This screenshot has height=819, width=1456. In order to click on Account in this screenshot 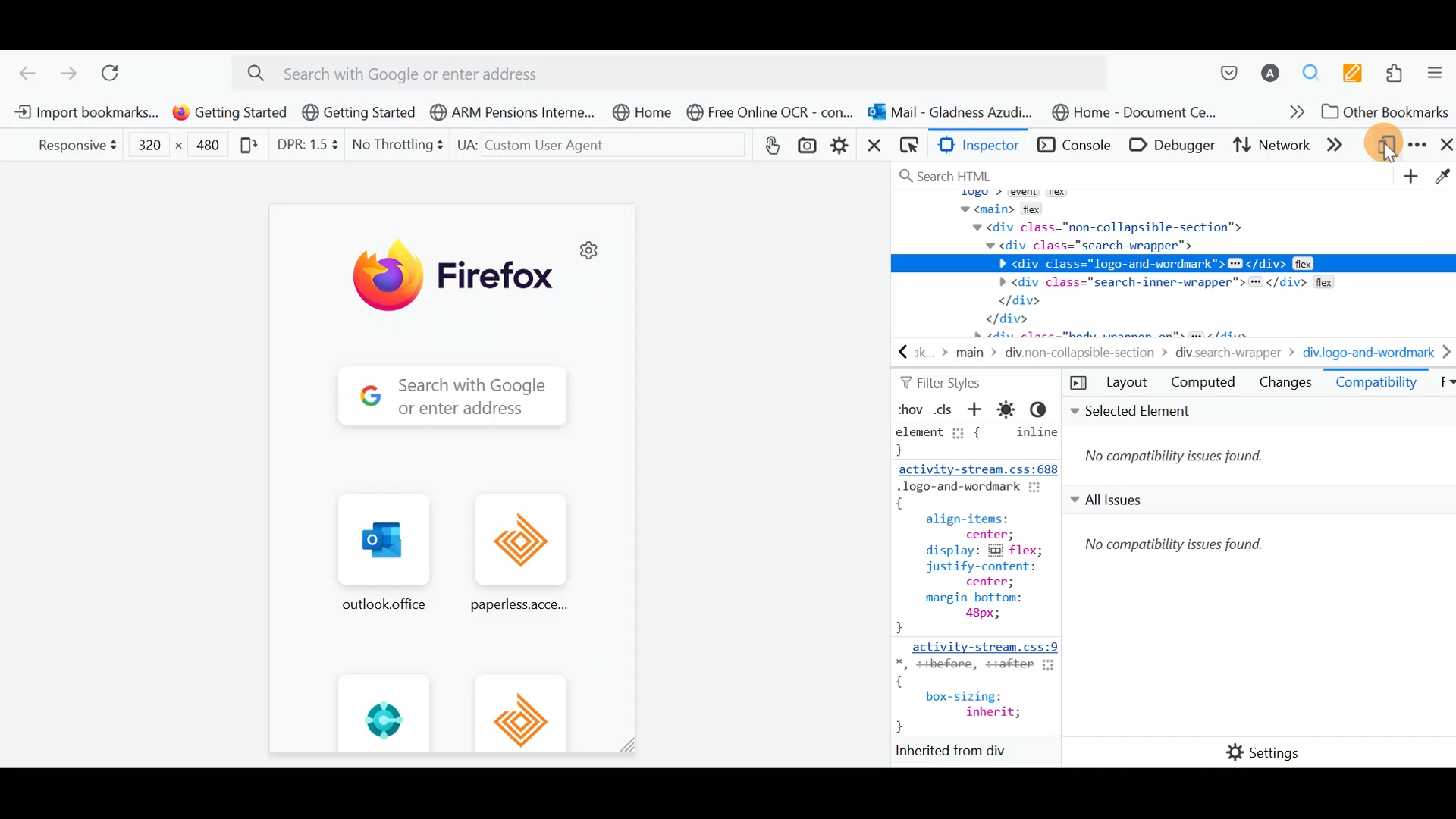, I will do `click(1272, 67)`.